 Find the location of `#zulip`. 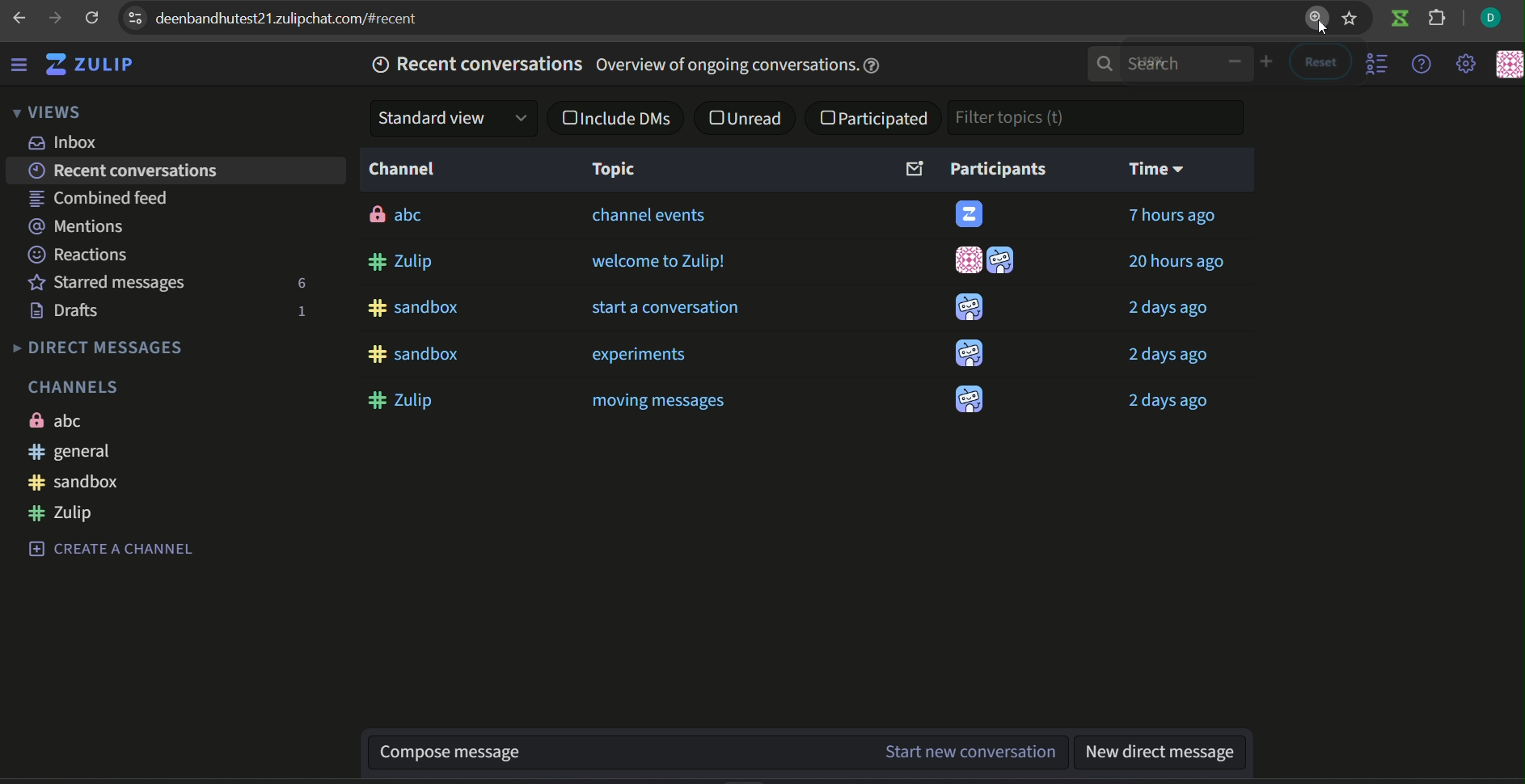

#zulip is located at coordinates (406, 402).